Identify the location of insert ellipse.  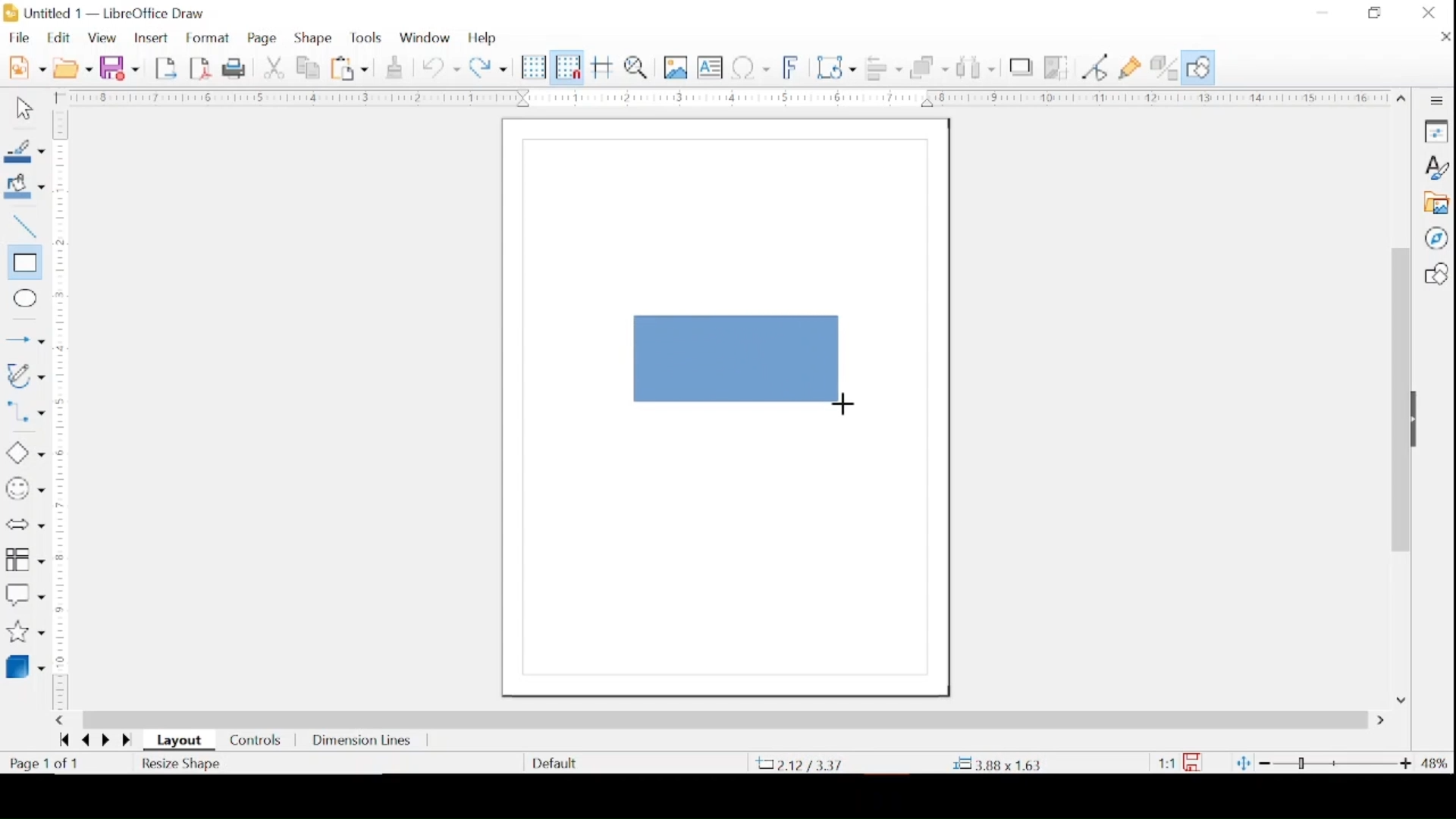
(22, 299).